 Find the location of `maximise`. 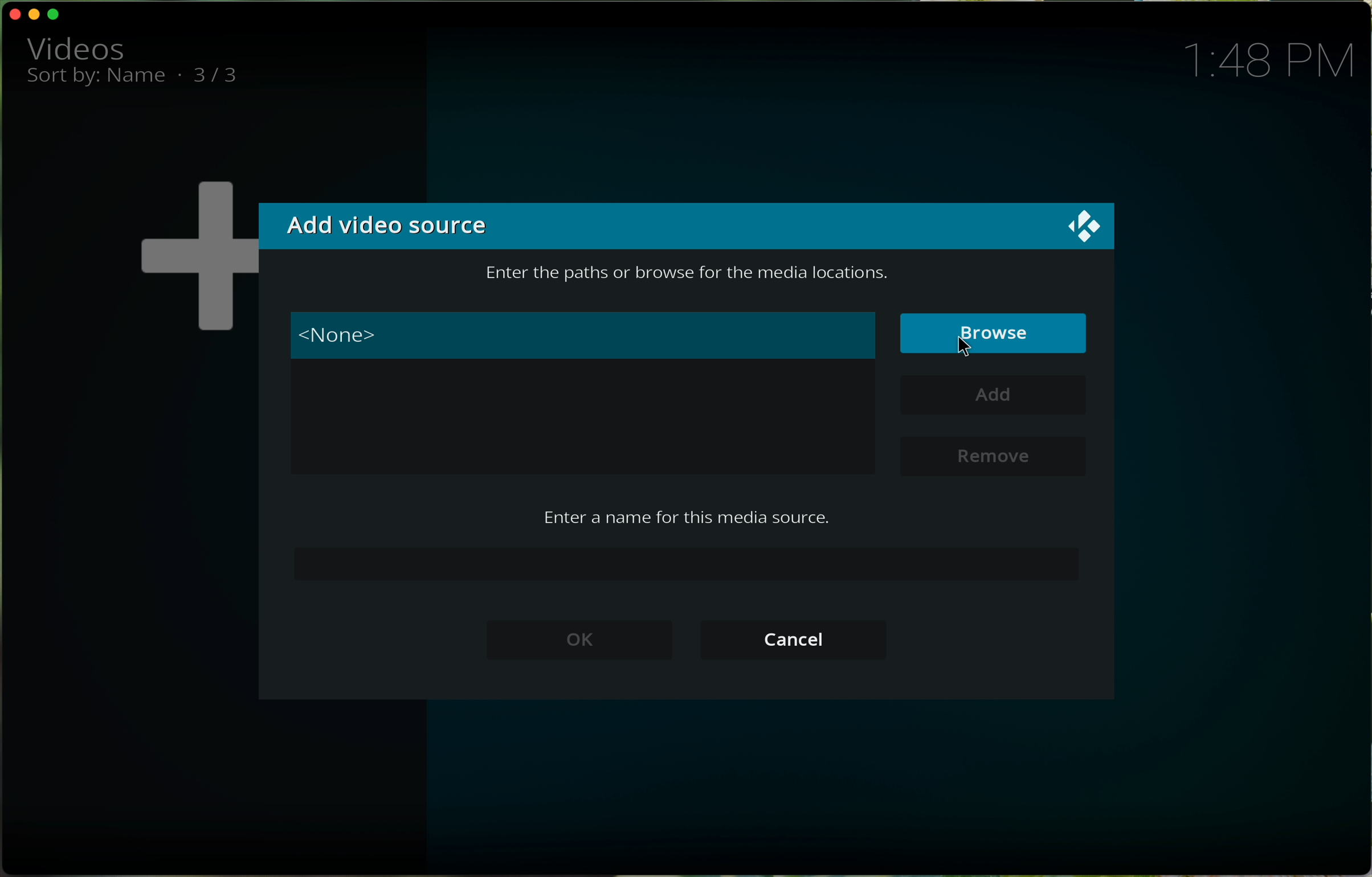

maximise is located at coordinates (57, 15).